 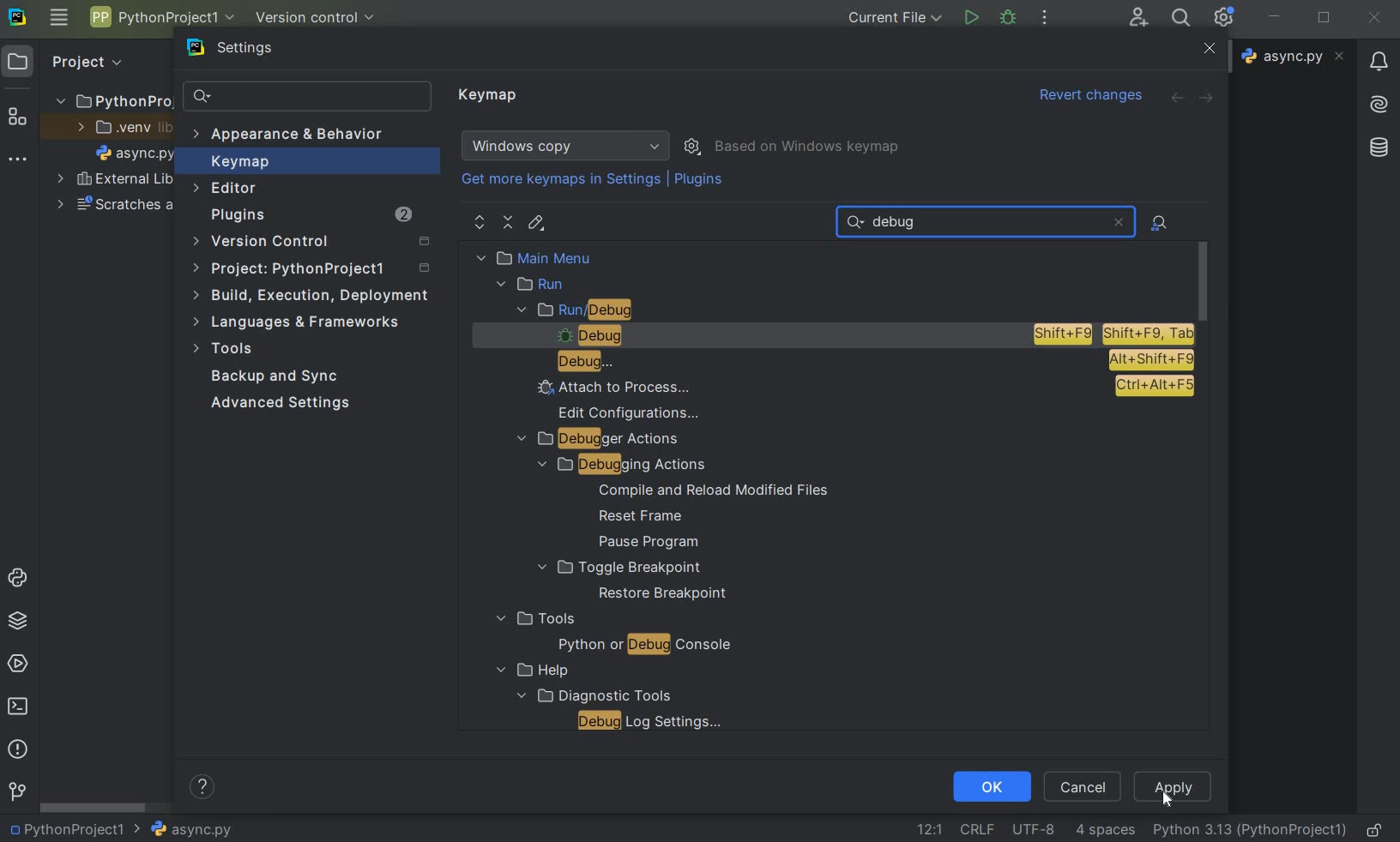 What do you see at coordinates (317, 243) in the screenshot?
I see `version control` at bounding box center [317, 243].